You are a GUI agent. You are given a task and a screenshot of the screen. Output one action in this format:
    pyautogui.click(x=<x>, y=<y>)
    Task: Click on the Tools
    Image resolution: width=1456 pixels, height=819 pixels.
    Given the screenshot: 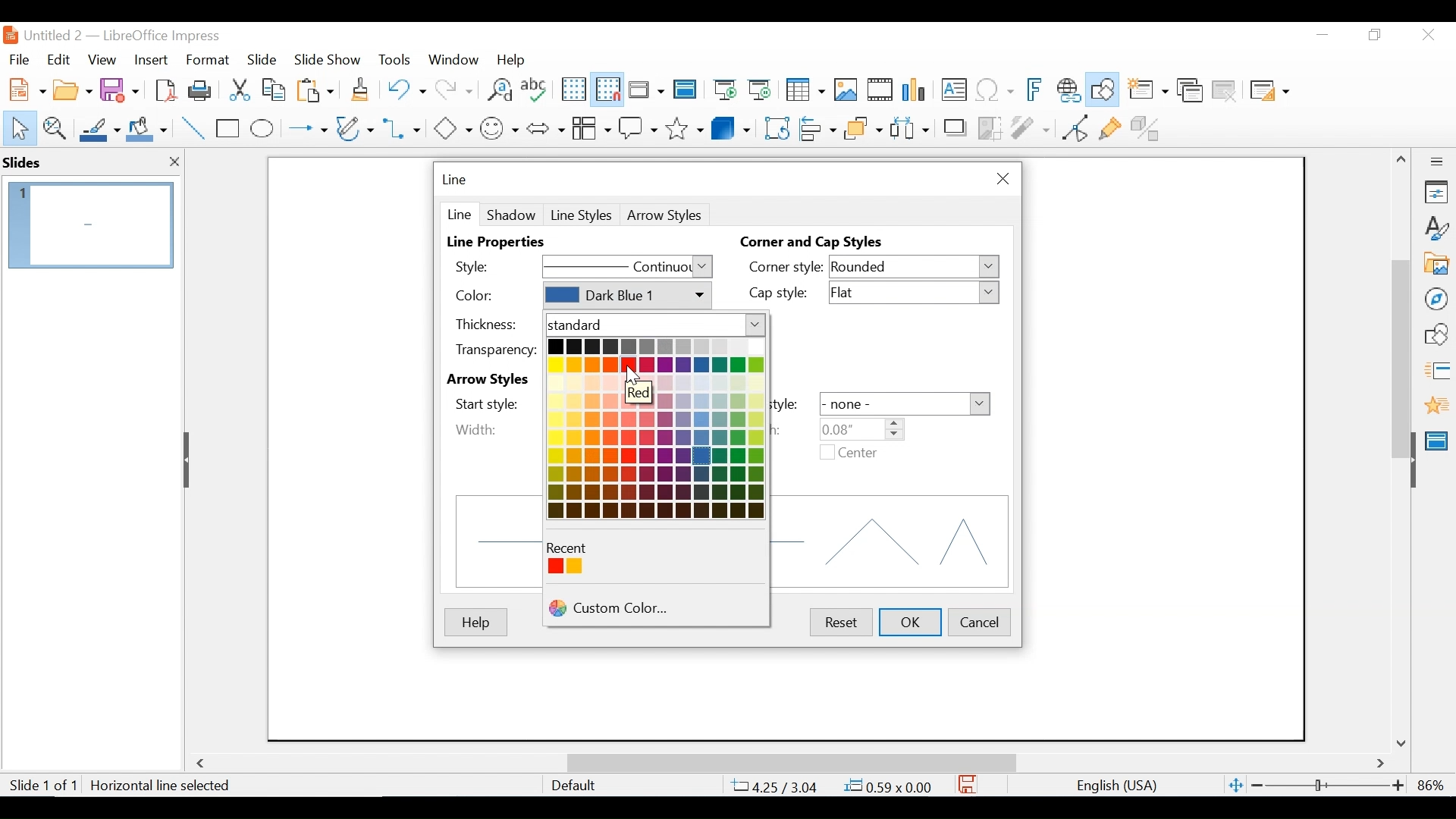 What is the action you would take?
    pyautogui.click(x=394, y=59)
    